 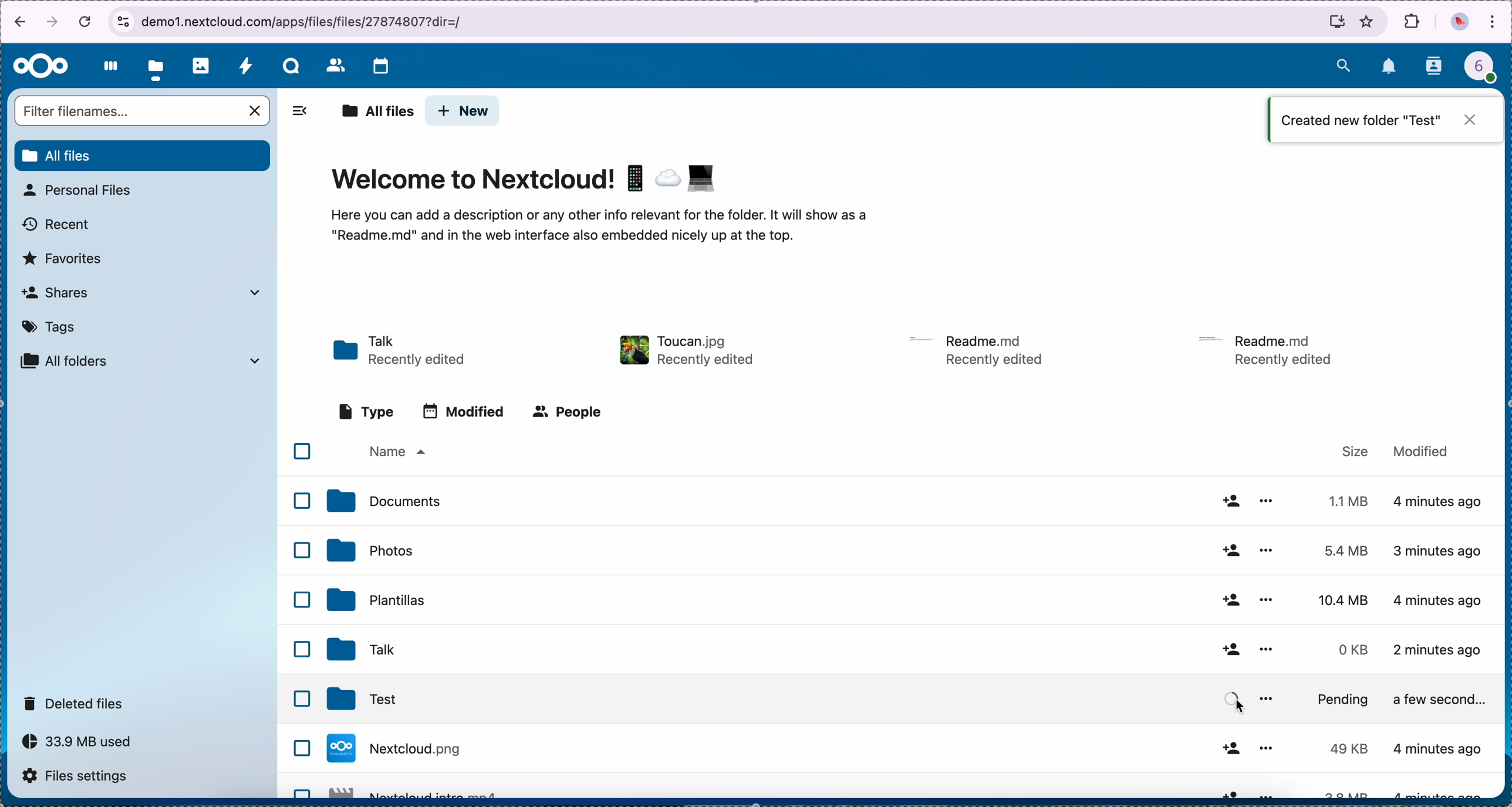 What do you see at coordinates (358, 650) in the screenshot?
I see `talk` at bounding box center [358, 650].